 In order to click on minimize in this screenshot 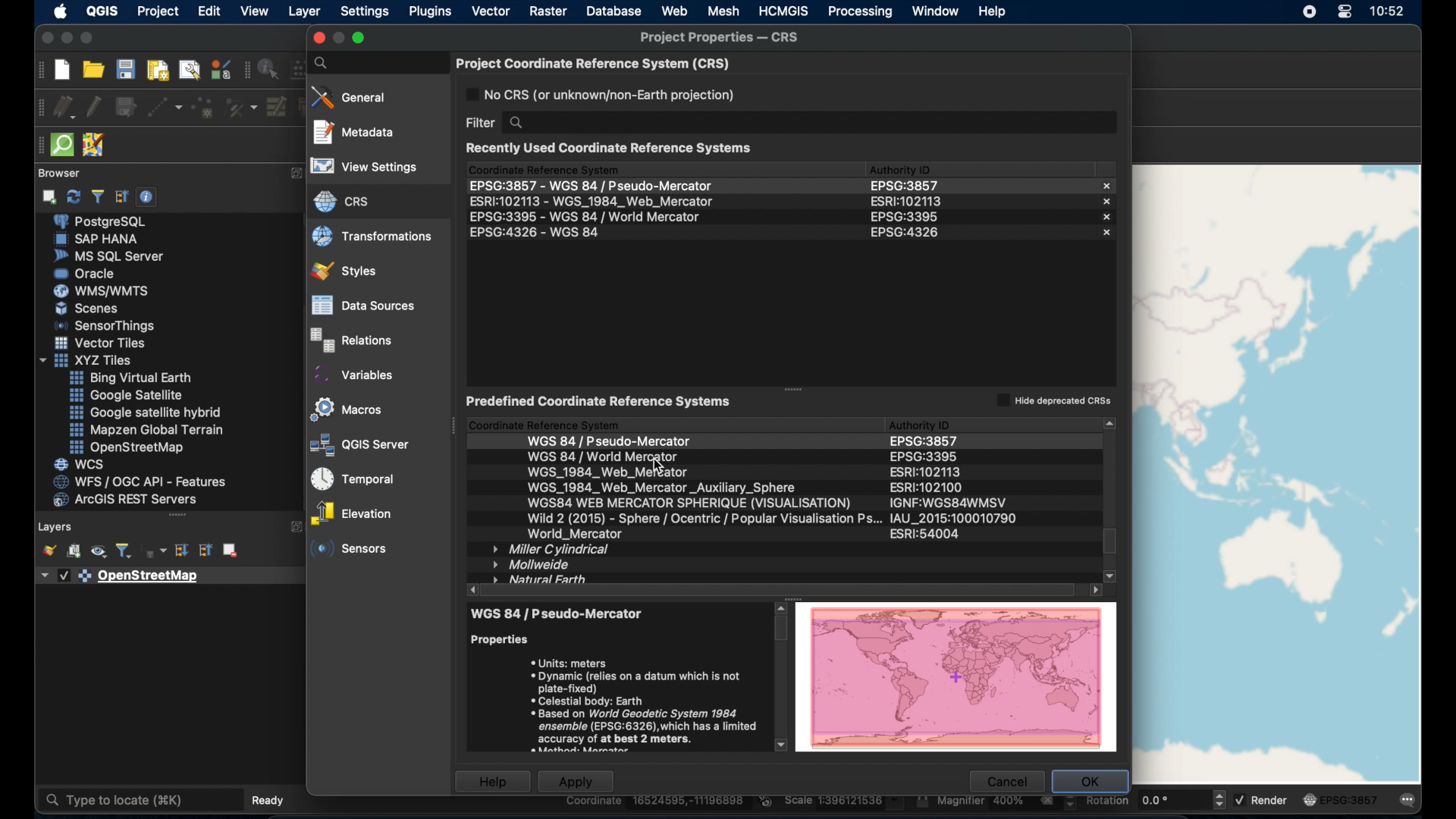, I will do `click(67, 38)`.